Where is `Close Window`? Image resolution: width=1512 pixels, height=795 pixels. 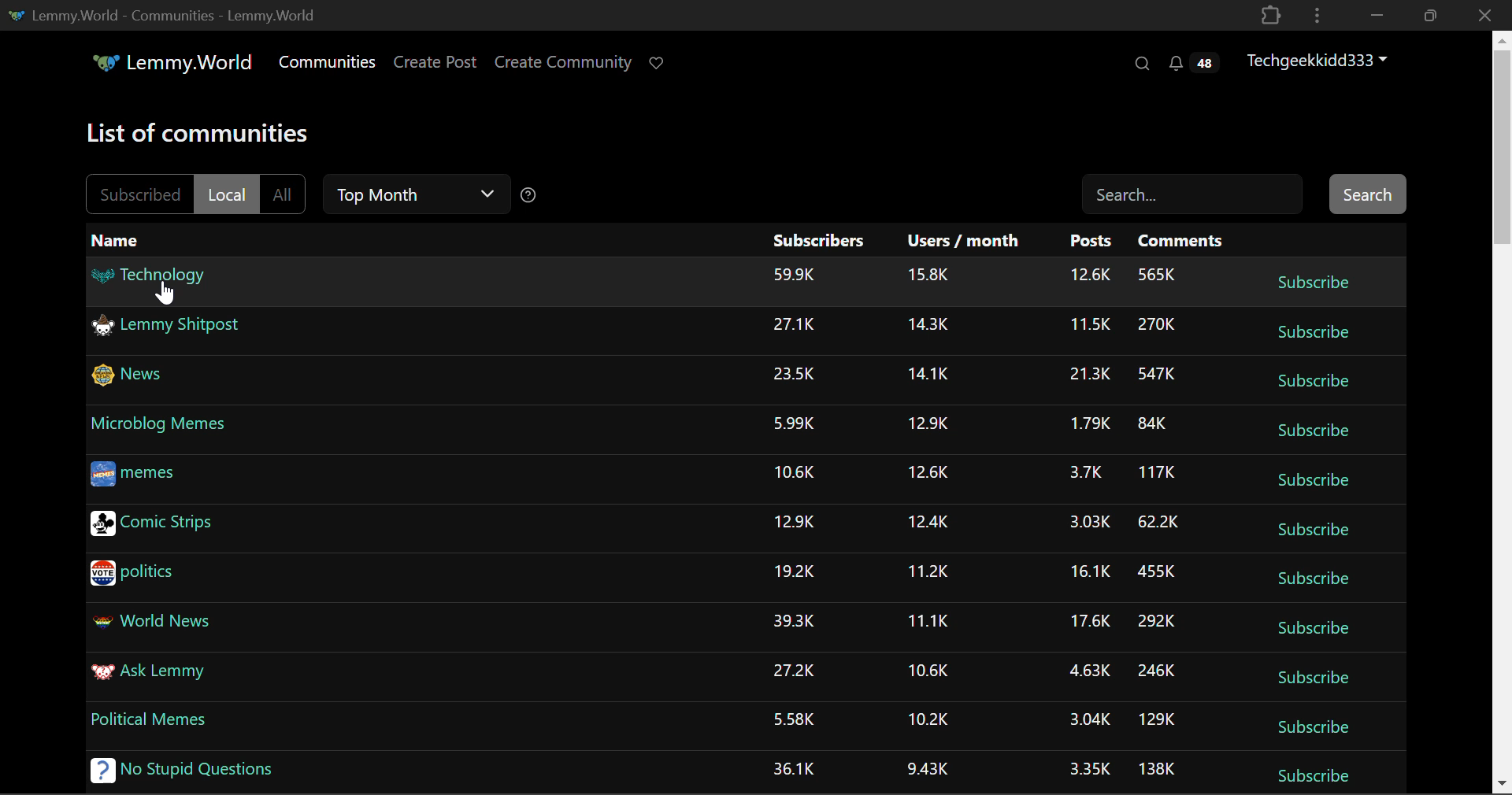 Close Window is located at coordinates (1485, 14).